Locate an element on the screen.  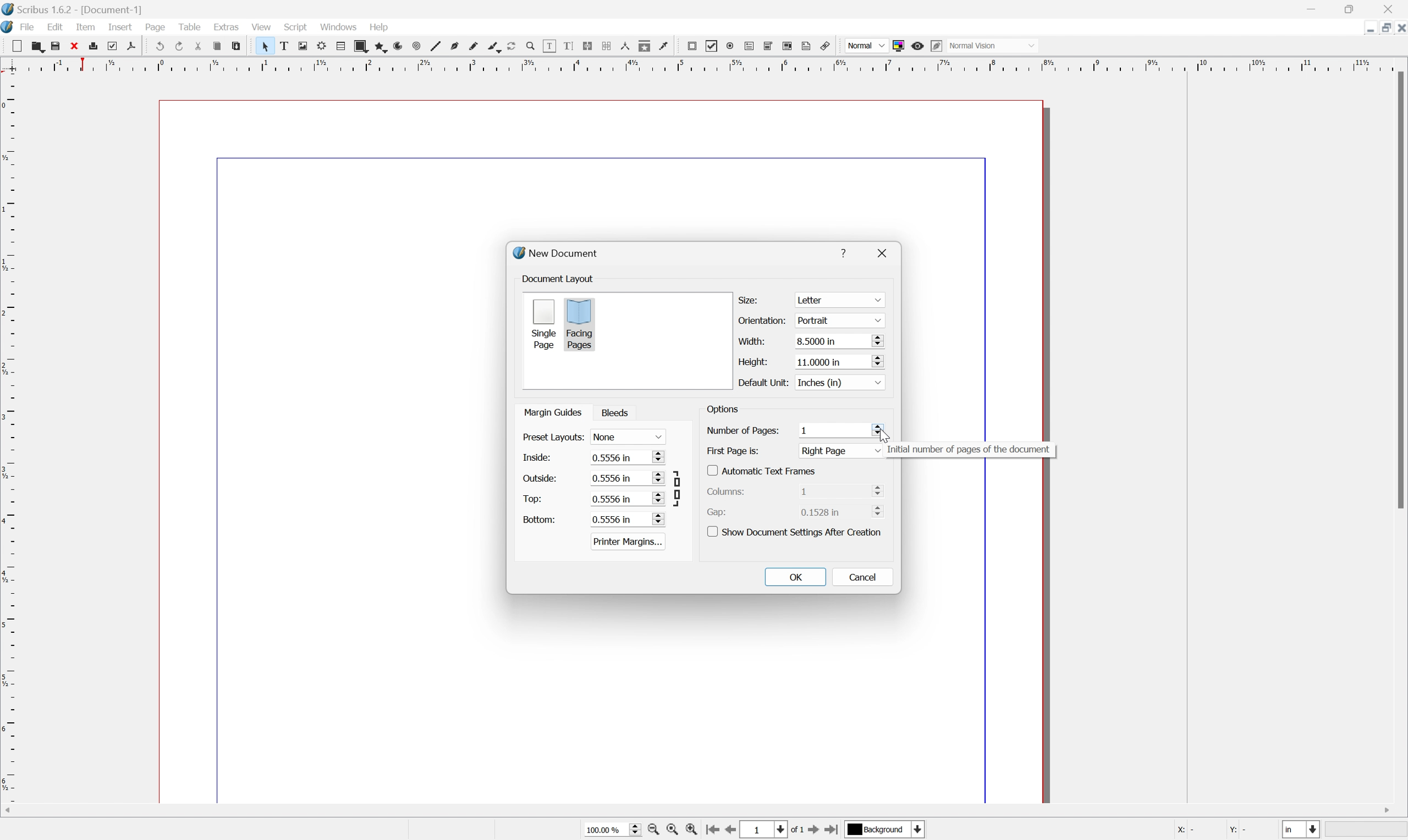
1 is located at coordinates (841, 490).